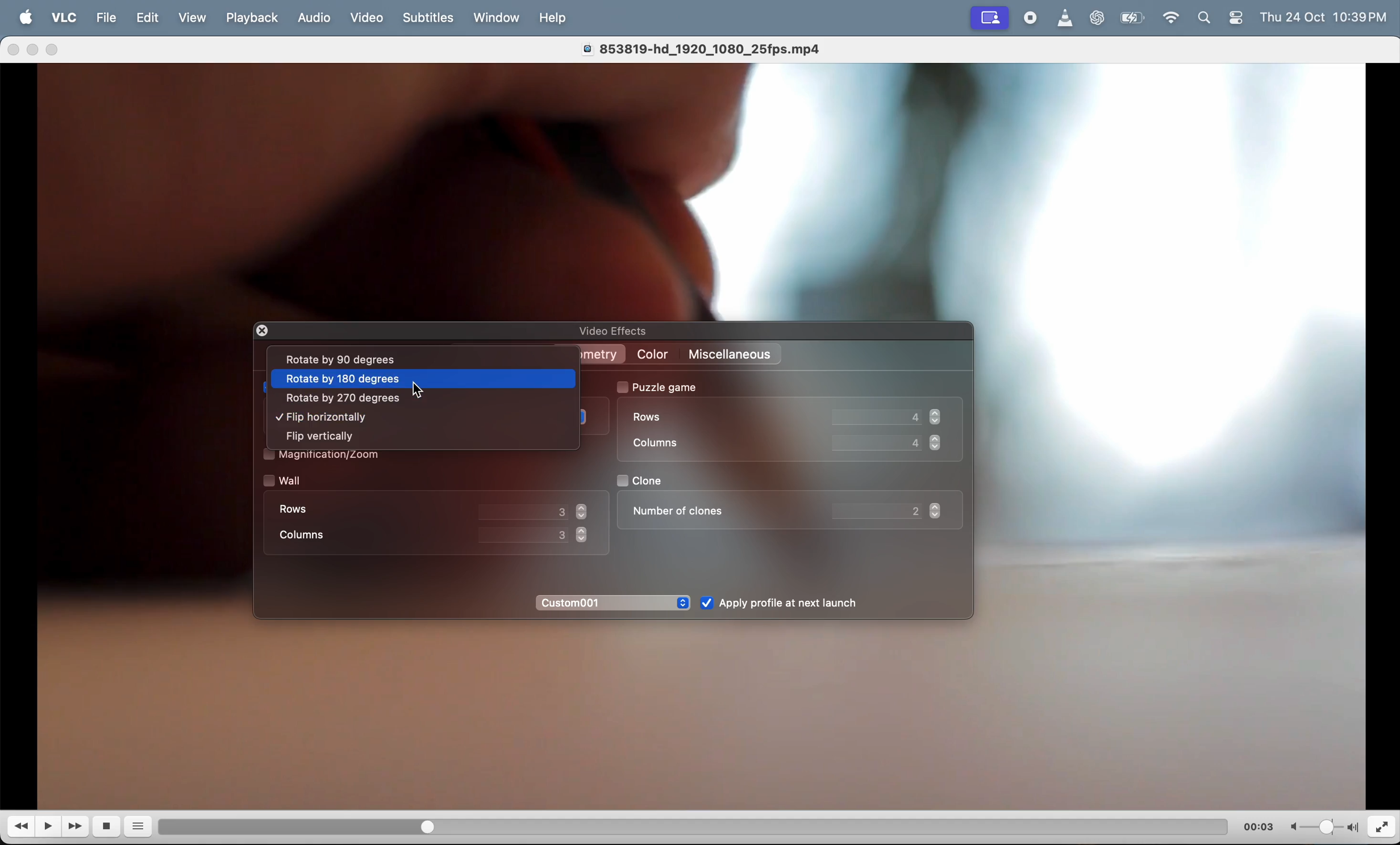 The image size is (1400, 845). I want to click on rows, so click(649, 417).